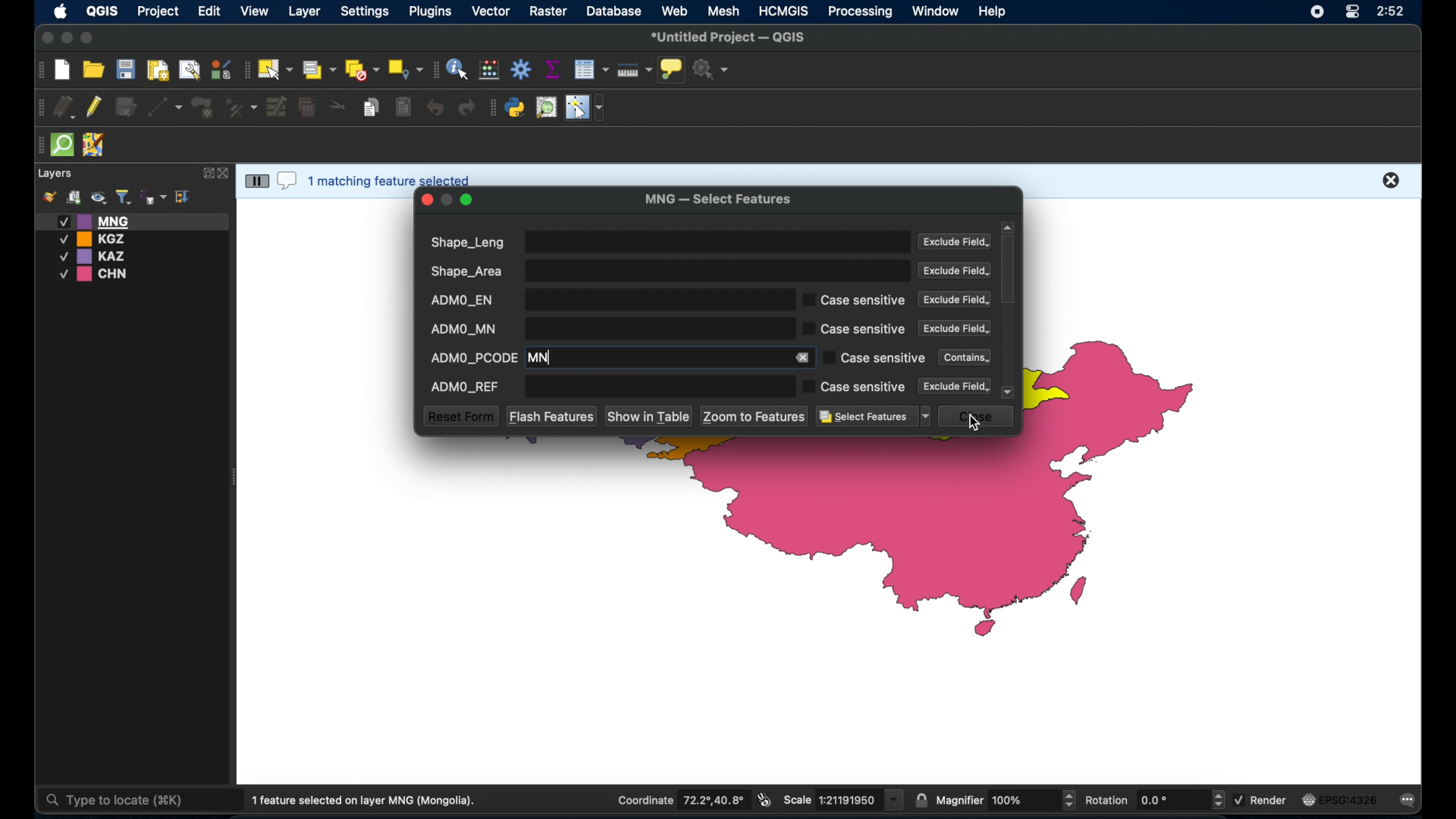  What do you see at coordinates (469, 108) in the screenshot?
I see `redo` at bounding box center [469, 108].